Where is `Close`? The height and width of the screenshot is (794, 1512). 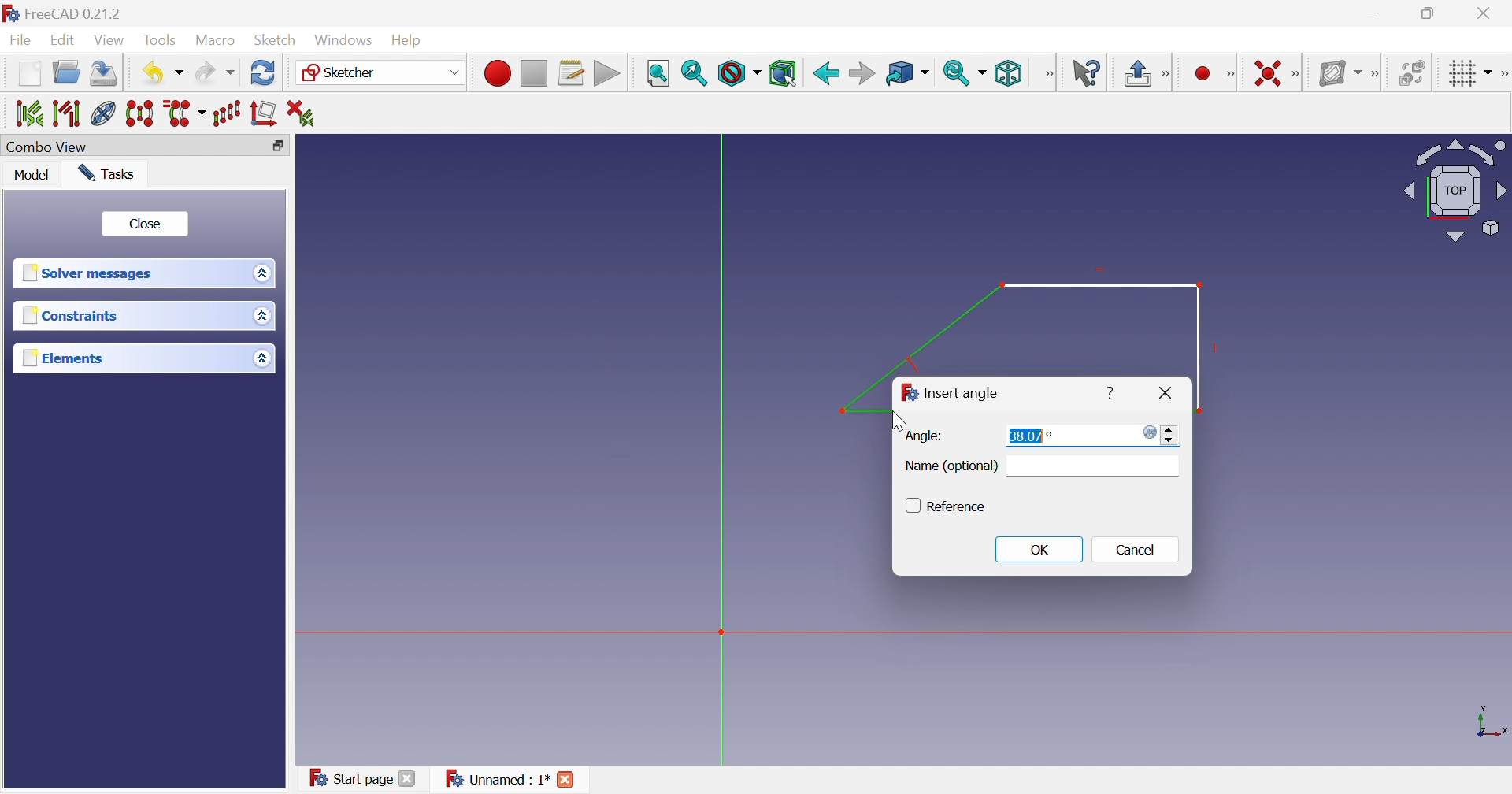 Close is located at coordinates (409, 781).